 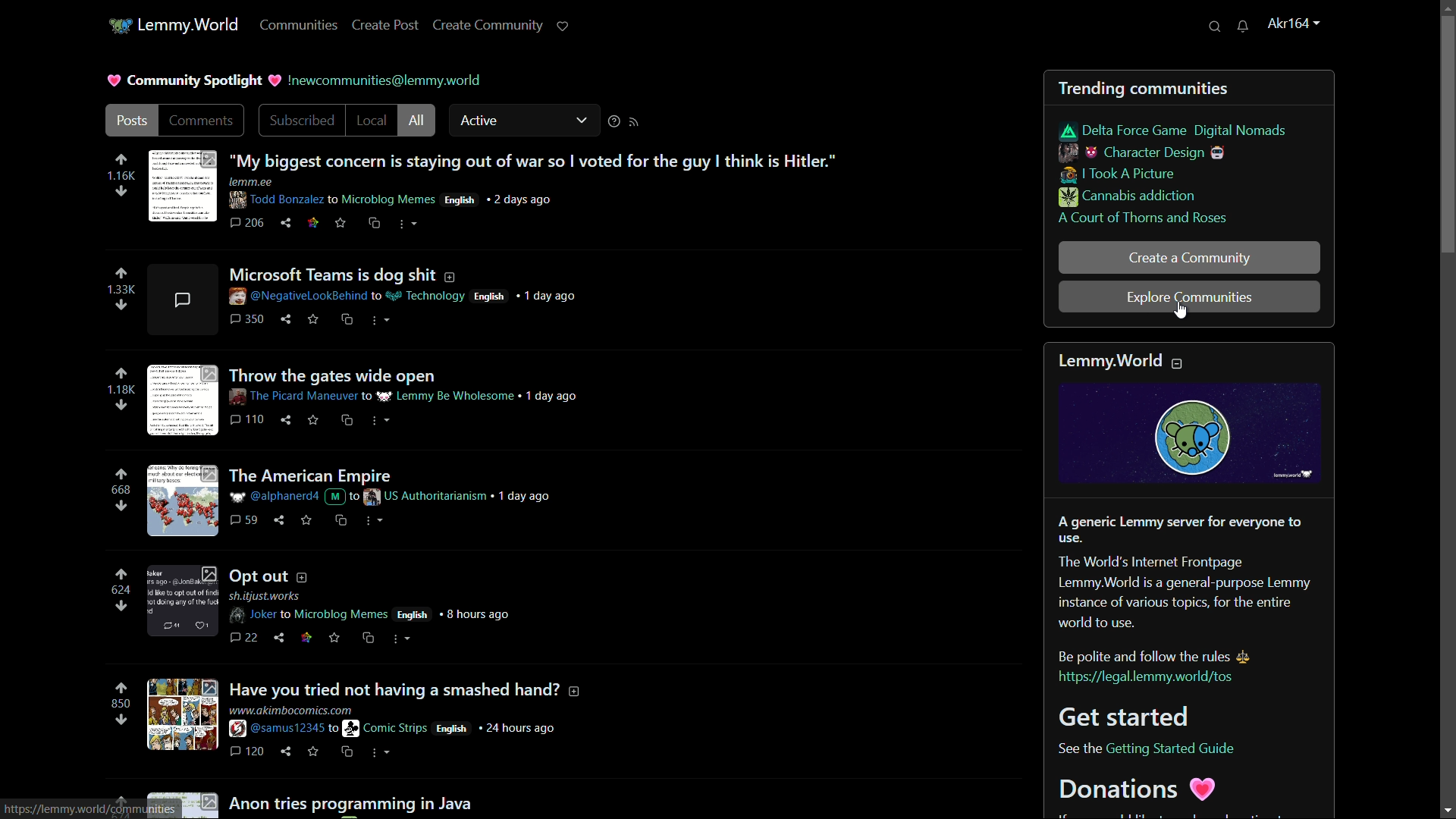 What do you see at coordinates (1119, 175) in the screenshot?
I see `i took a picture` at bounding box center [1119, 175].